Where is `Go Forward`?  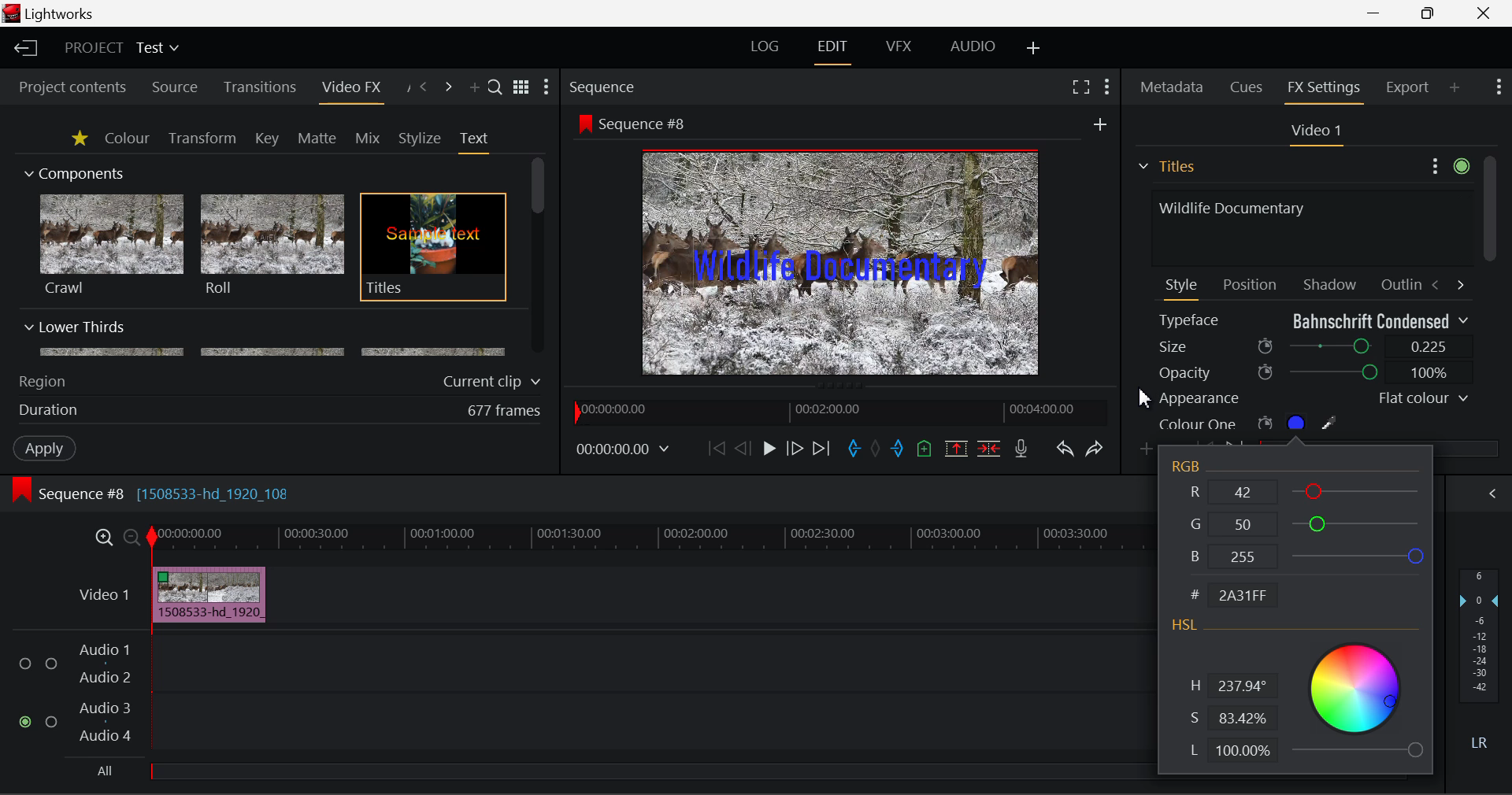
Go Forward is located at coordinates (794, 449).